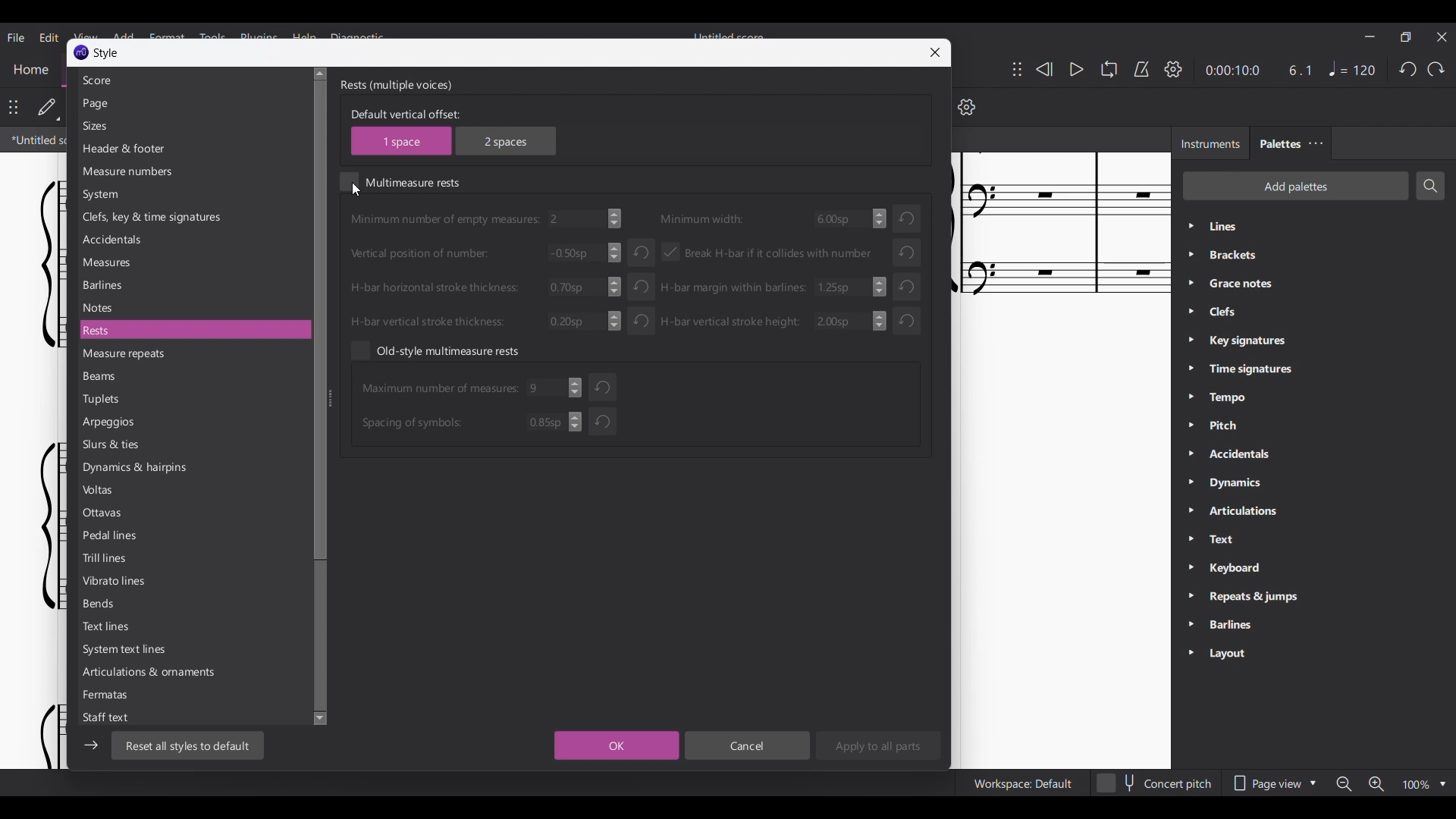 The height and width of the screenshot is (819, 1456). What do you see at coordinates (35, 140) in the screenshot?
I see `Current tab highlighted` at bounding box center [35, 140].